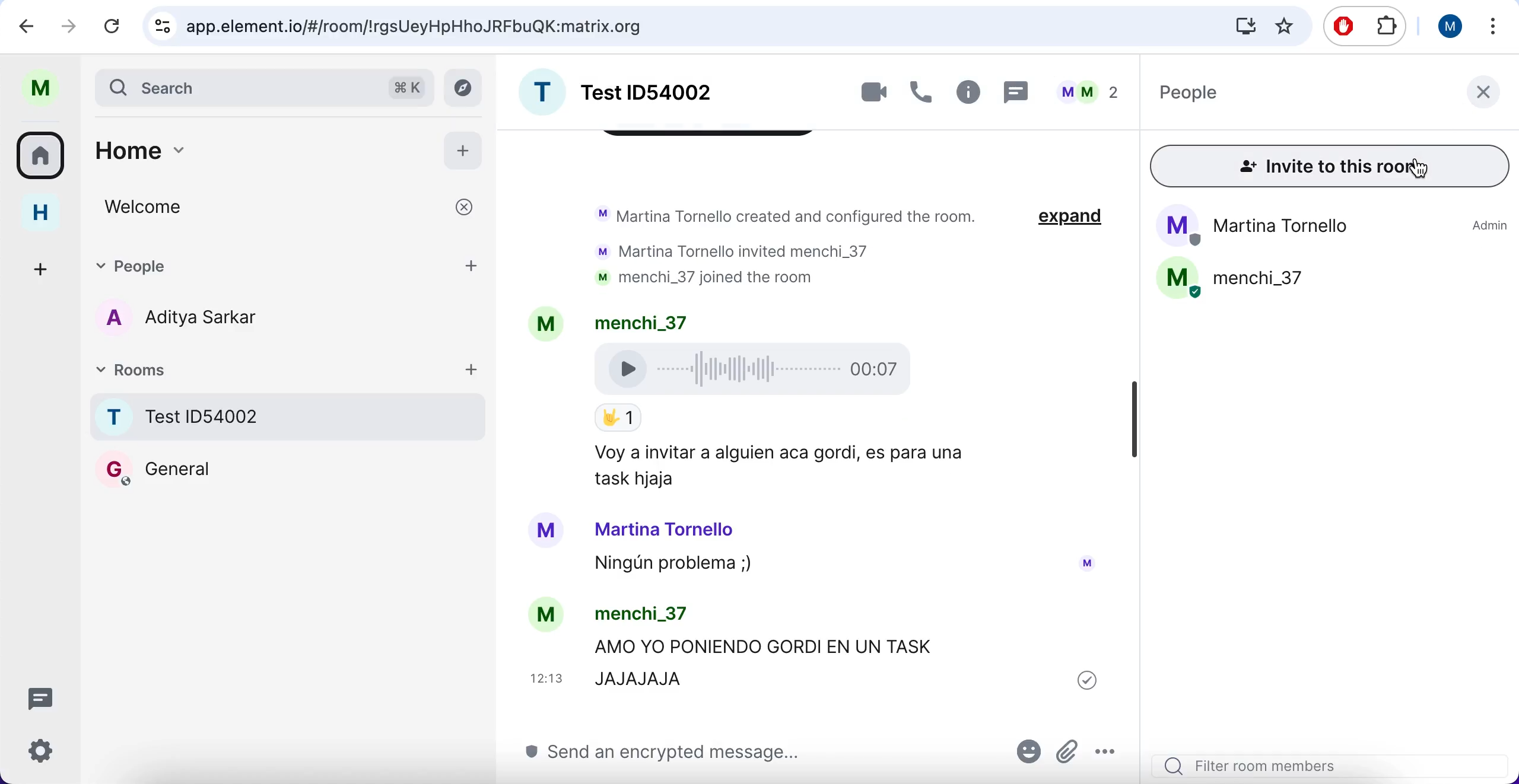  What do you see at coordinates (1070, 747) in the screenshot?
I see `attachments` at bounding box center [1070, 747].